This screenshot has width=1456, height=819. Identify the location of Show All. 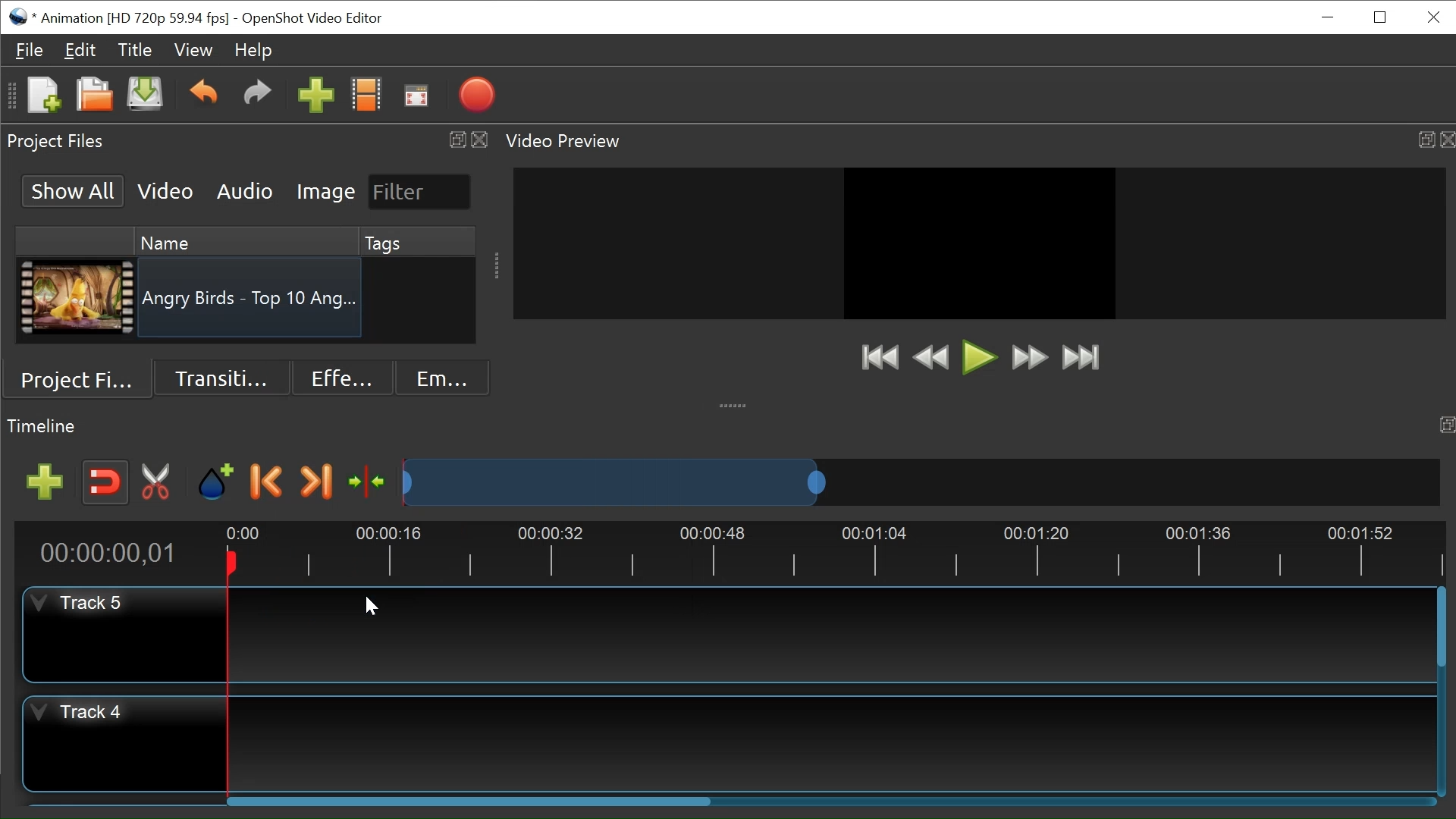
(74, 190).